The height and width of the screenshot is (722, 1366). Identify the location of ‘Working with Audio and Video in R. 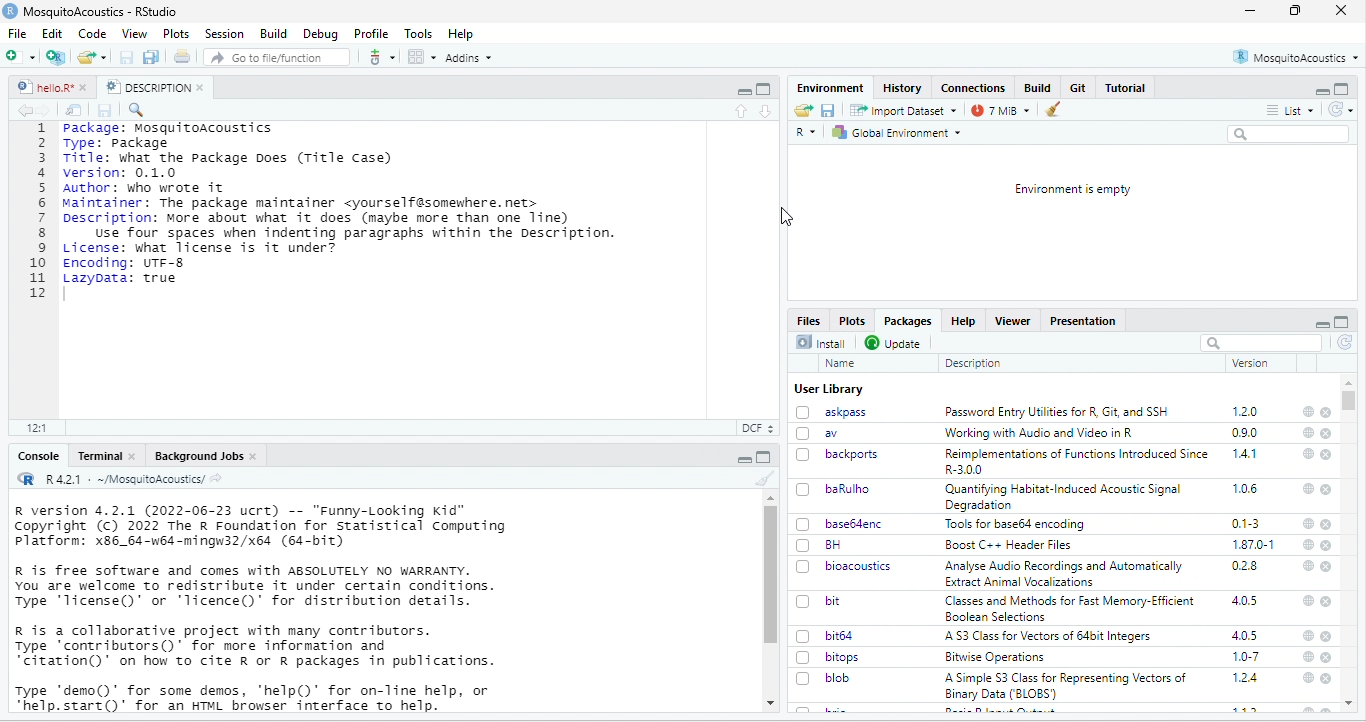
(1039, 432).